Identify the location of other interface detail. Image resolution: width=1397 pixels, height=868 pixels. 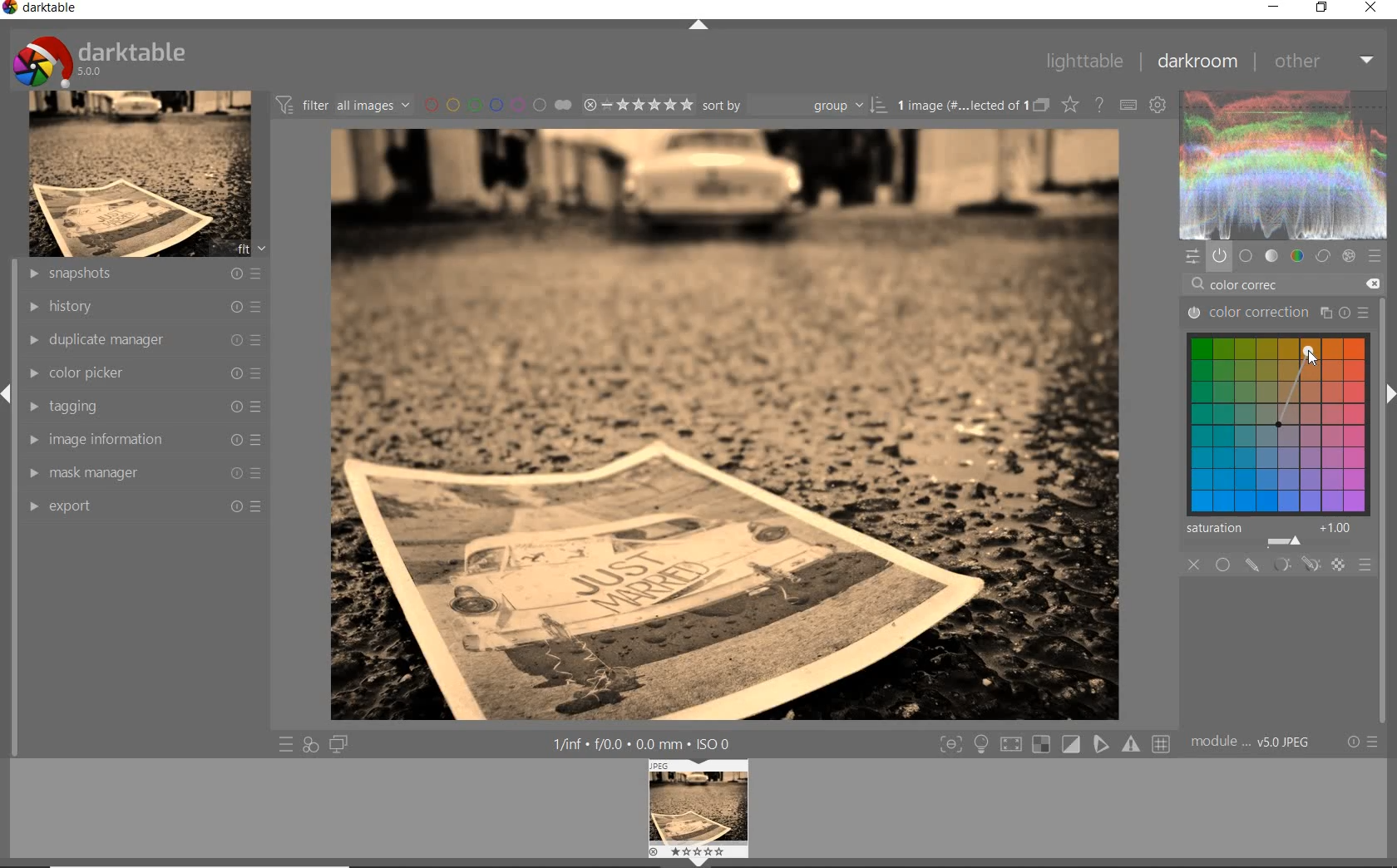
(642, 744).